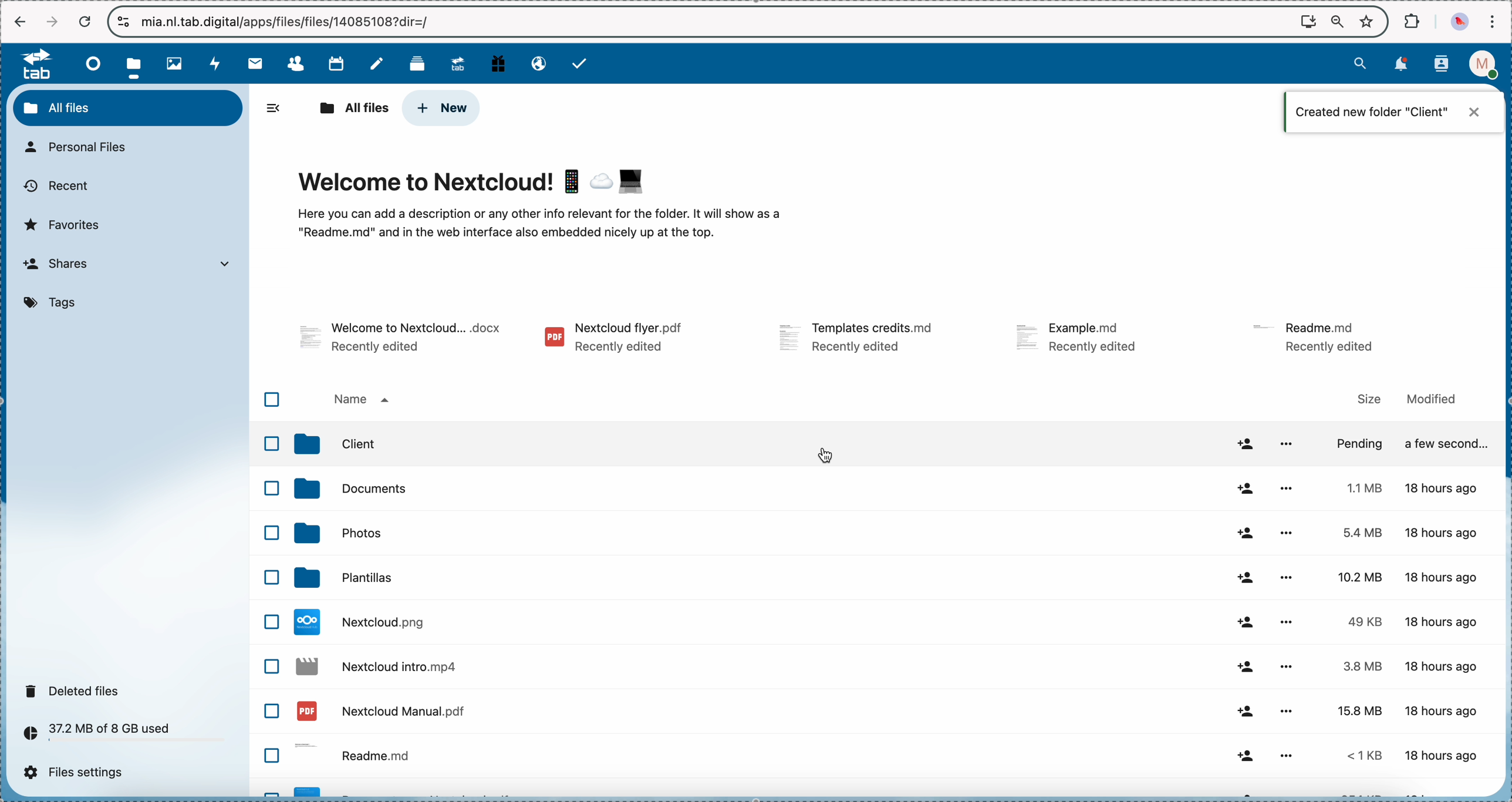  Describe the element at coordinates (1246, 713) in the screenshot. I see `share` at that location.